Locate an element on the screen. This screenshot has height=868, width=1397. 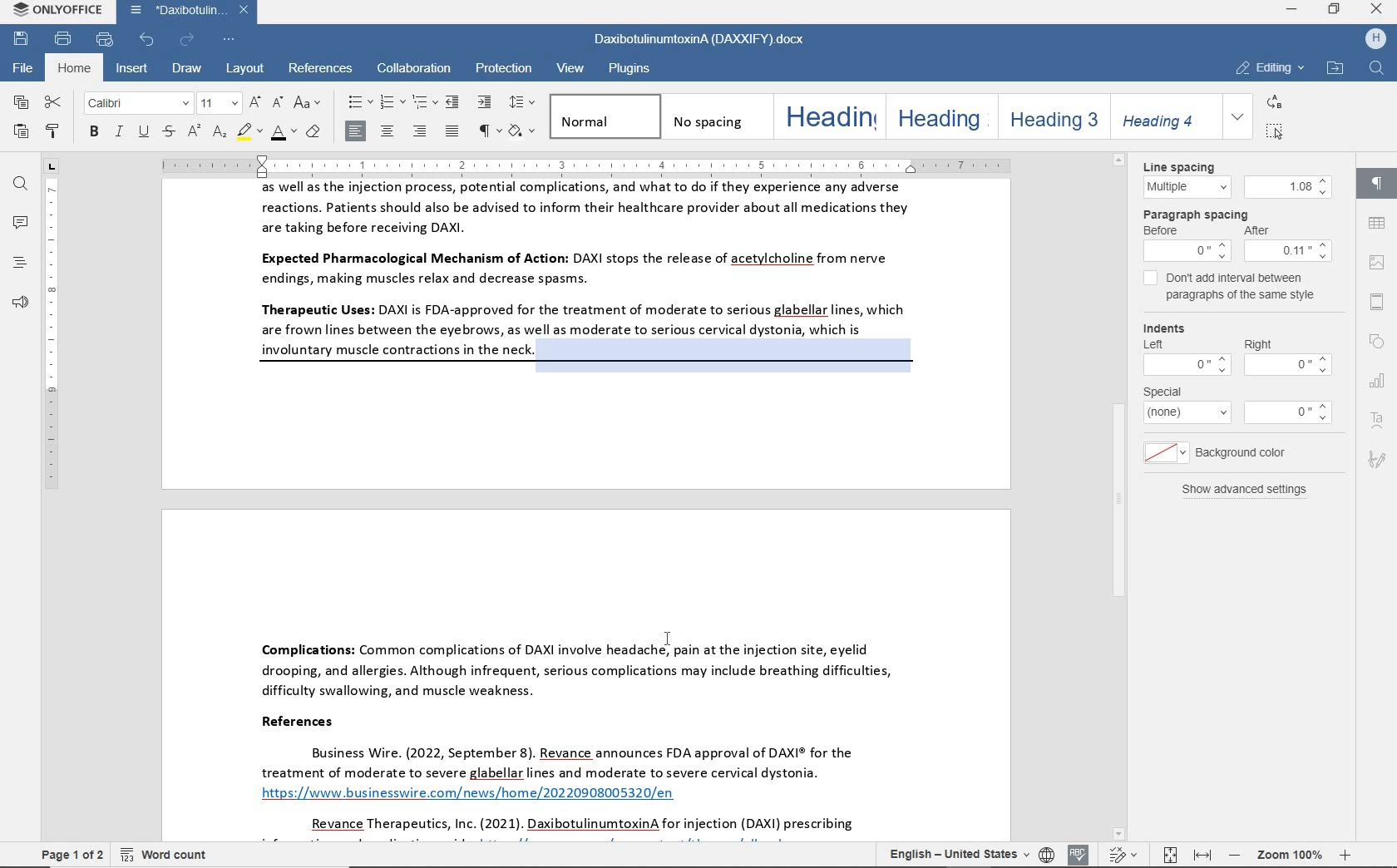
customize quick access toolbar is located at coordinates (227, 41).